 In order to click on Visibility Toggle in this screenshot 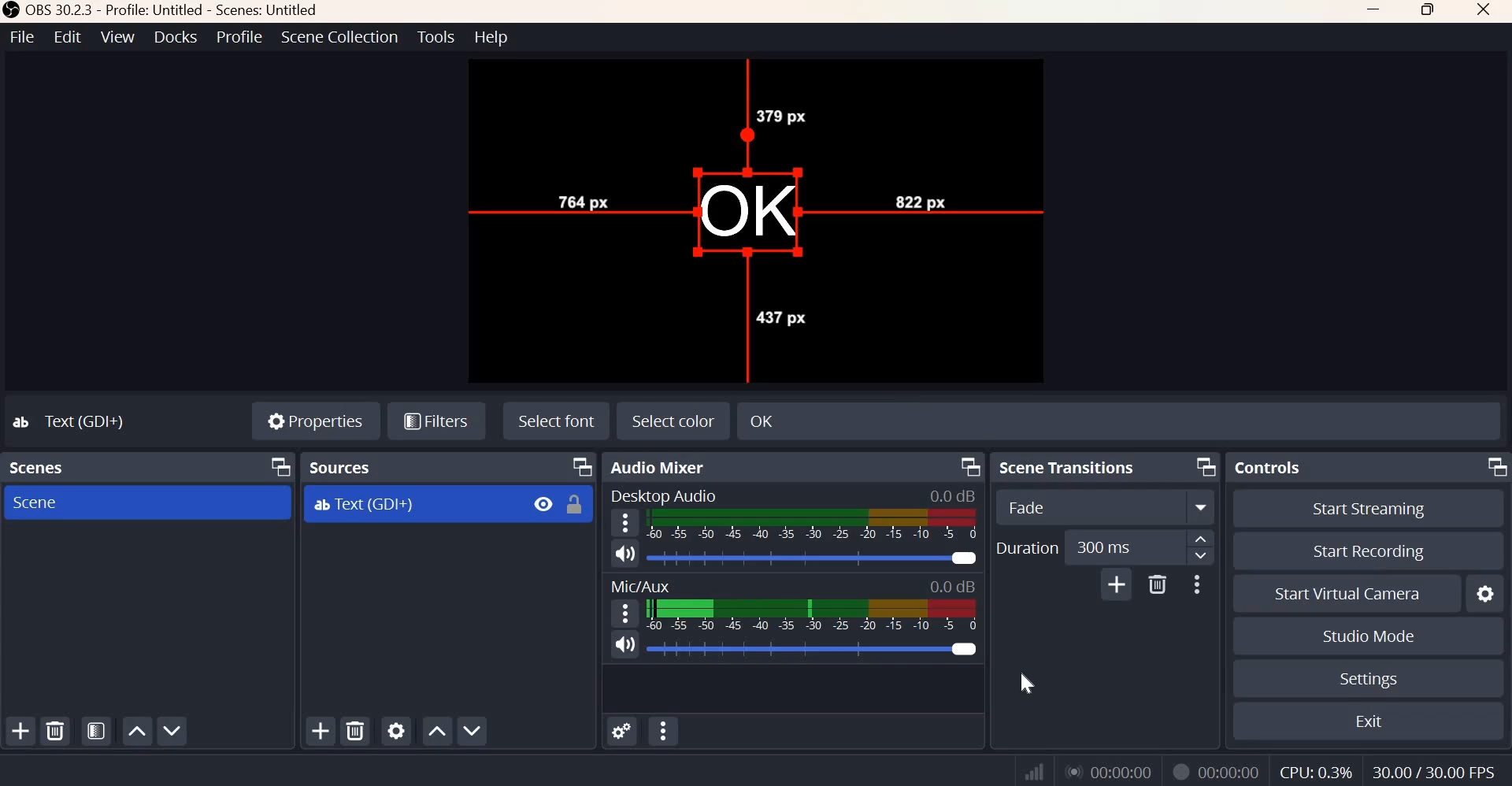, I will do `click(543, 504)`.